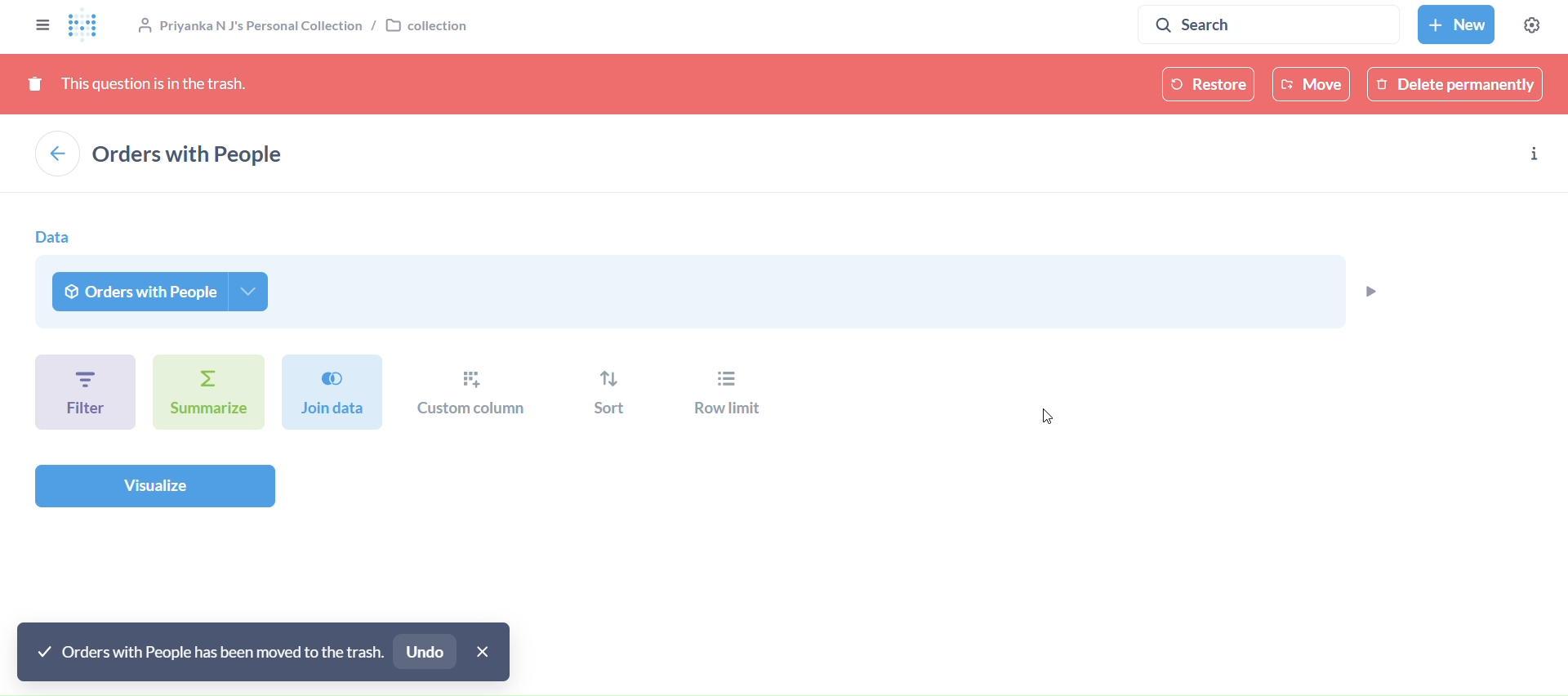  I want to click on logo, so click(89, 28).